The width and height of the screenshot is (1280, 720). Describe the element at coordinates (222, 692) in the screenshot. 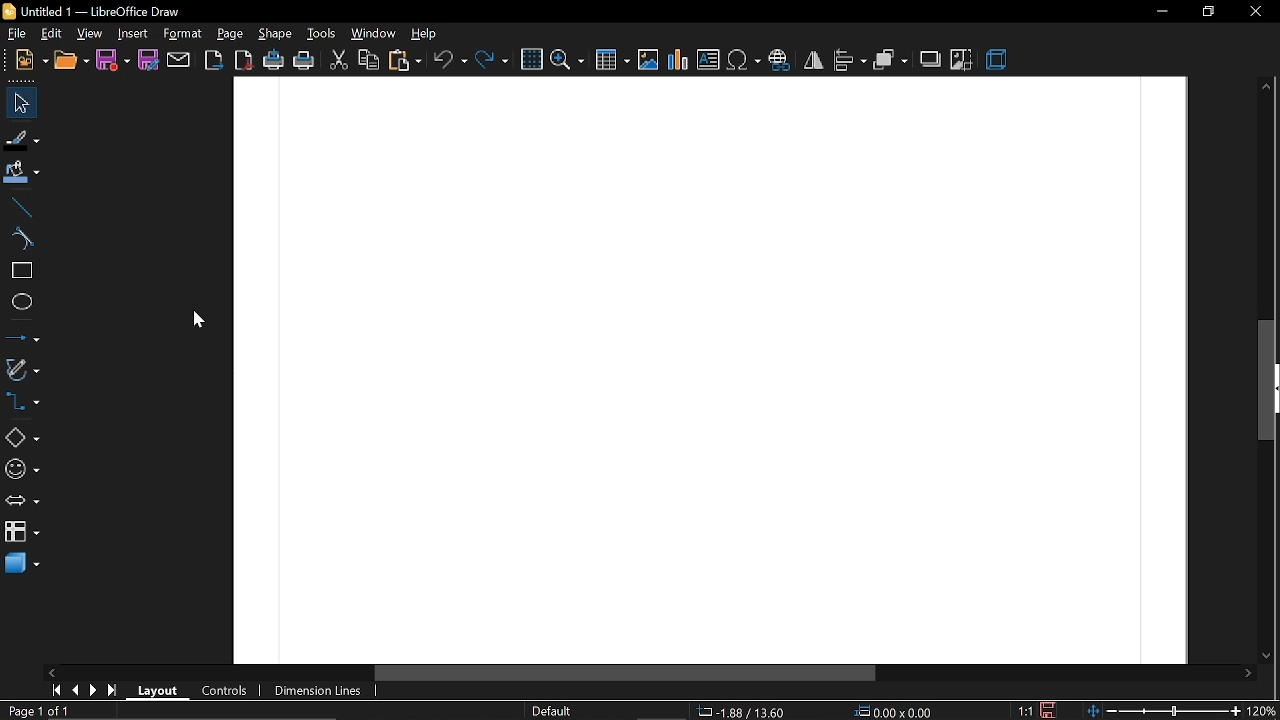

I see `controls` at that location.